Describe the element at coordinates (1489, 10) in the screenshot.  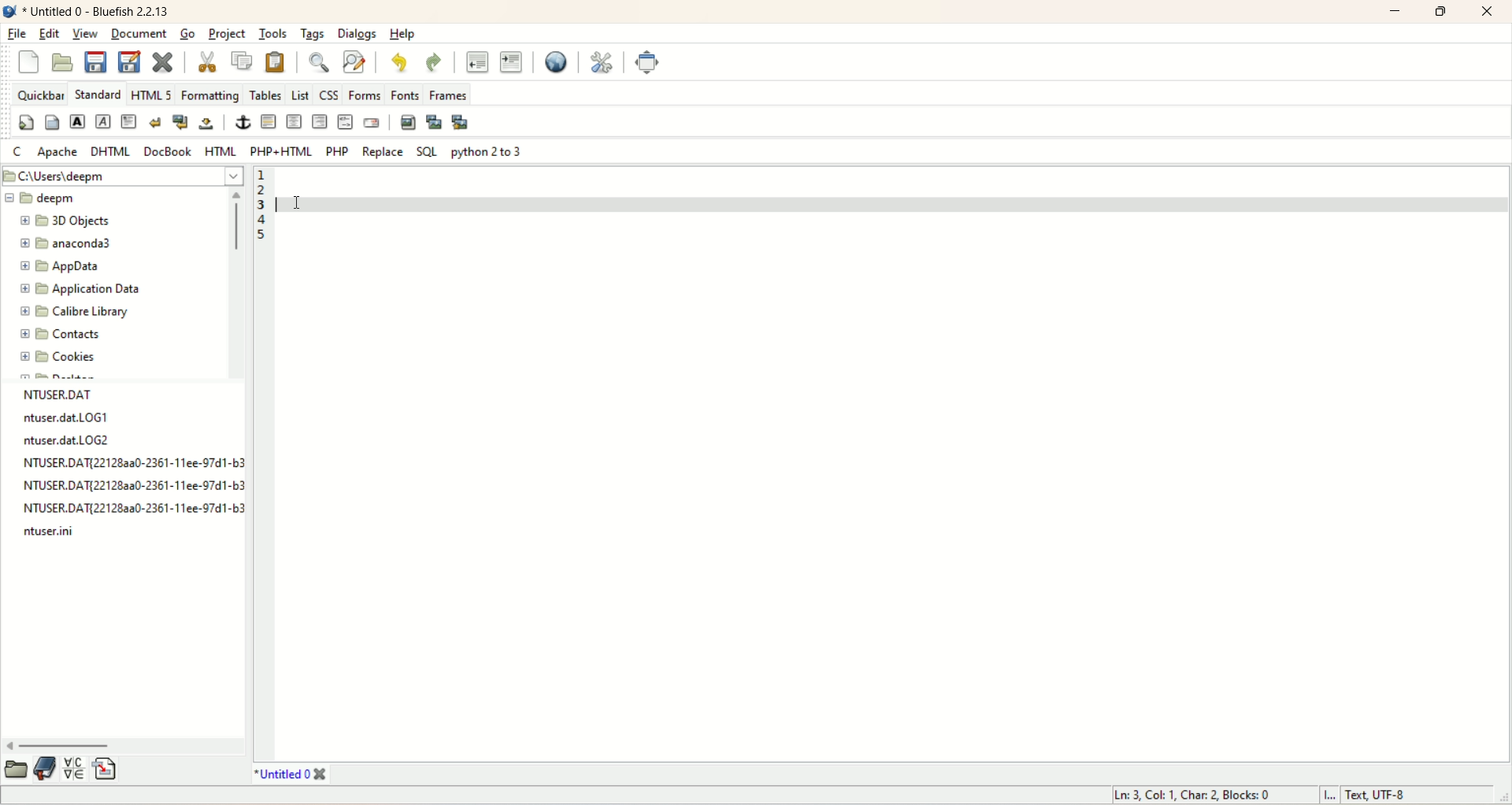
I see `close` at that location.